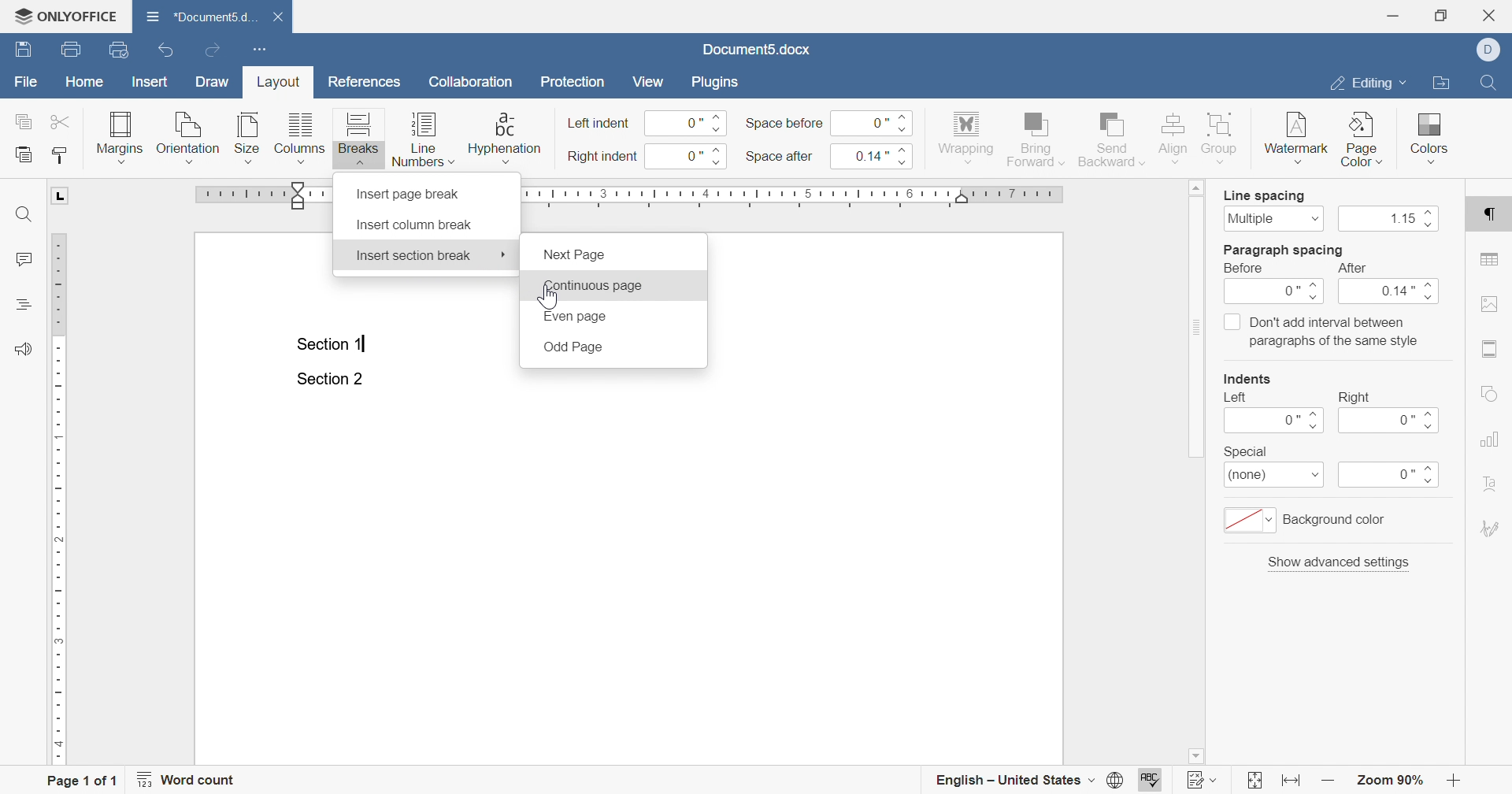 The image size is (1512, 794). Describe the element at coordinates (1491, 48) in the screenshot. I see `Dell` at that location.